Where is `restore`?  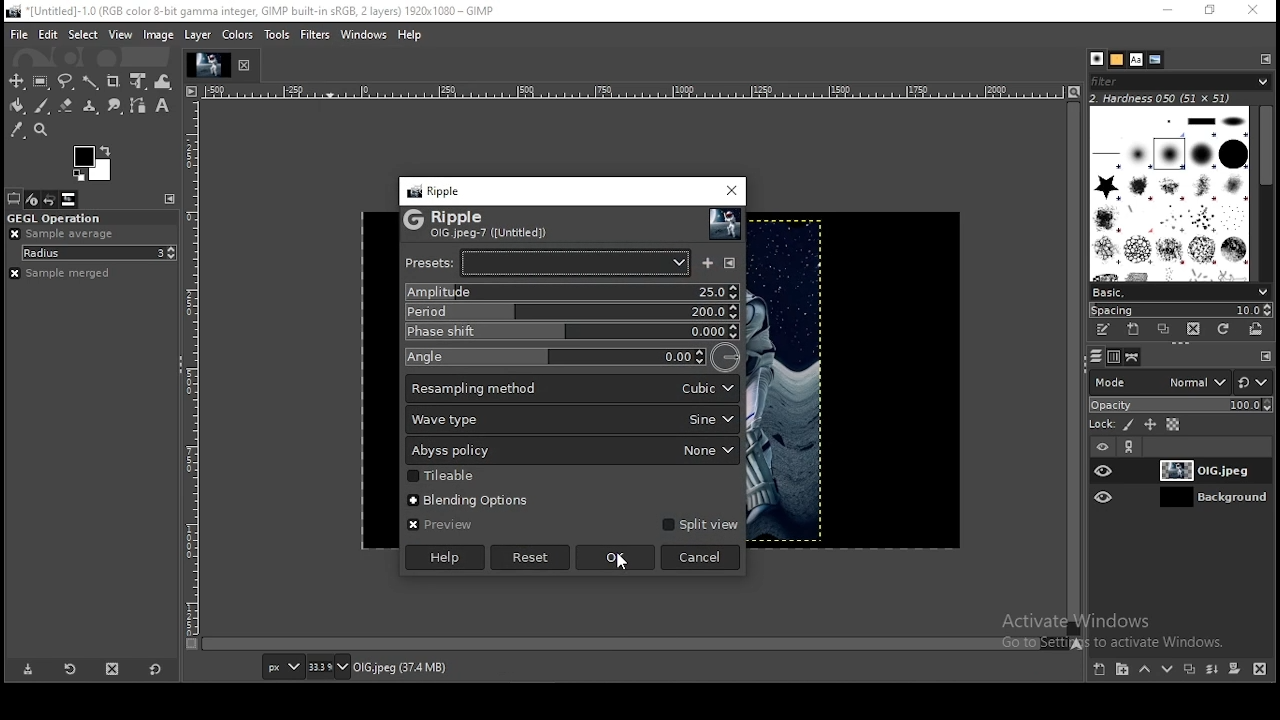
restore is located at coordinates (1215, 11).